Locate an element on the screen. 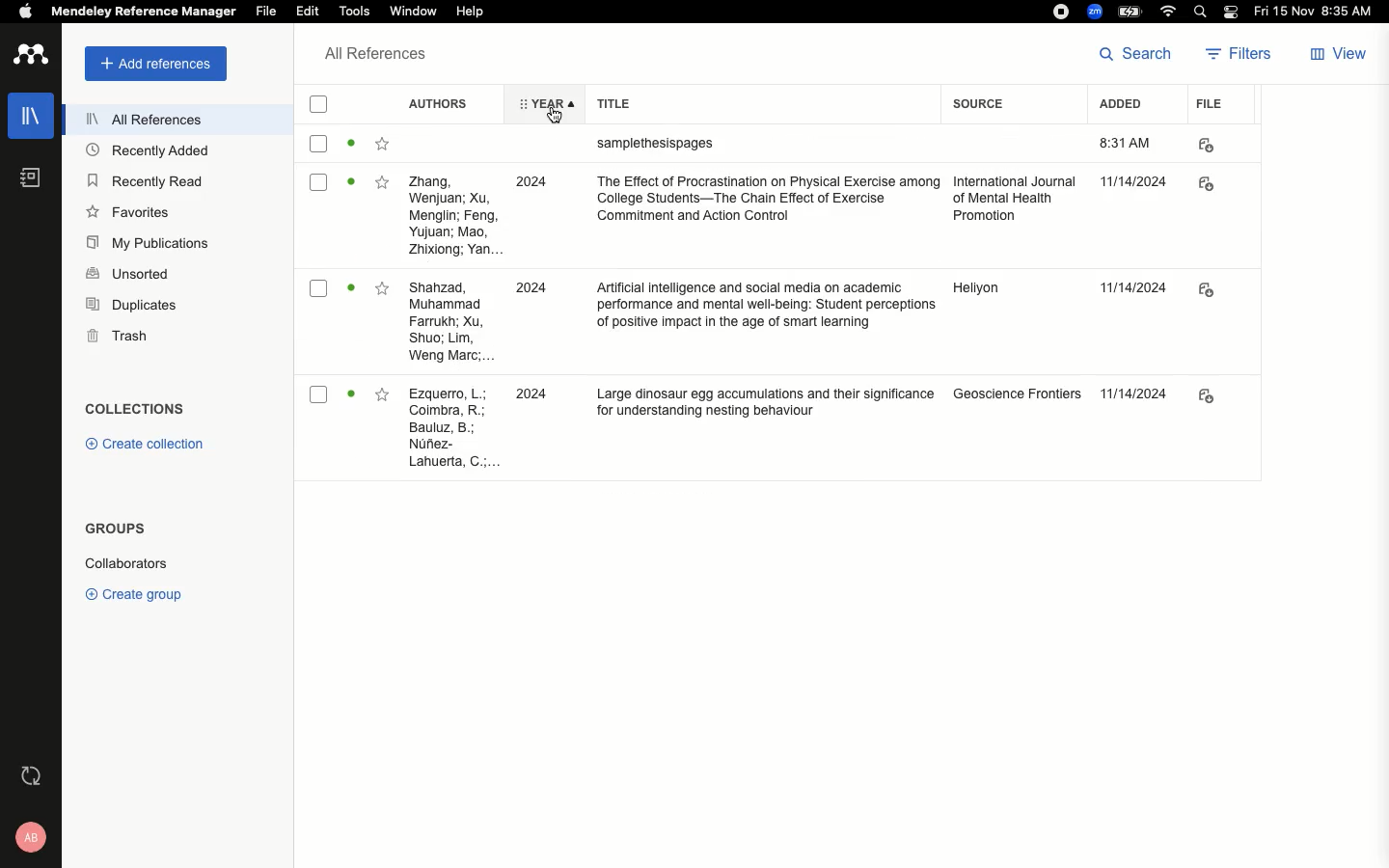 The height and width of the screenshot is (868, 1389). File is located at coordinates (265, 12).